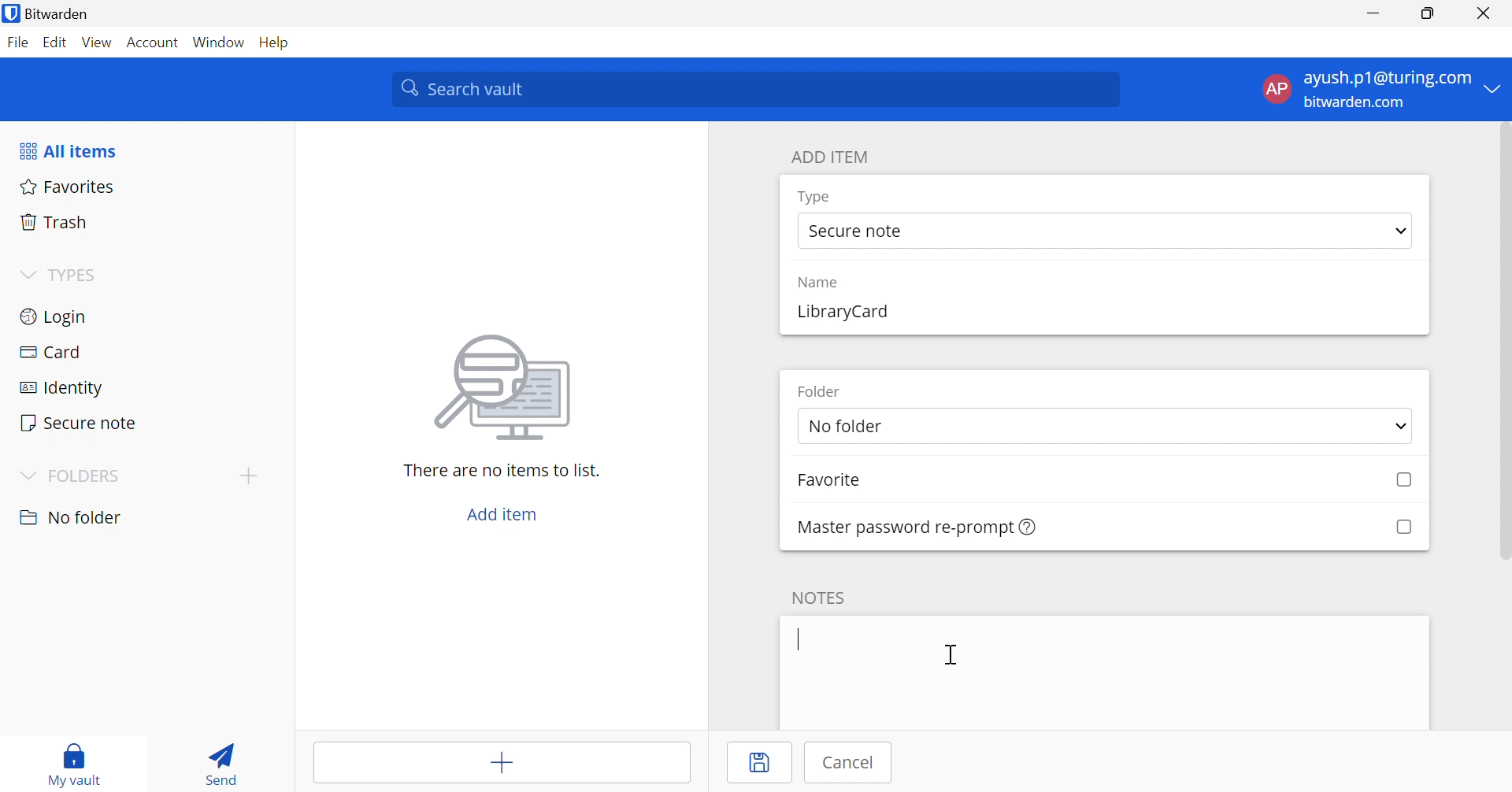 This screenshot has height=792, width=1512. Describe the element at coordinates (57, 43) in the screenshot. I see `Edit` at that location.